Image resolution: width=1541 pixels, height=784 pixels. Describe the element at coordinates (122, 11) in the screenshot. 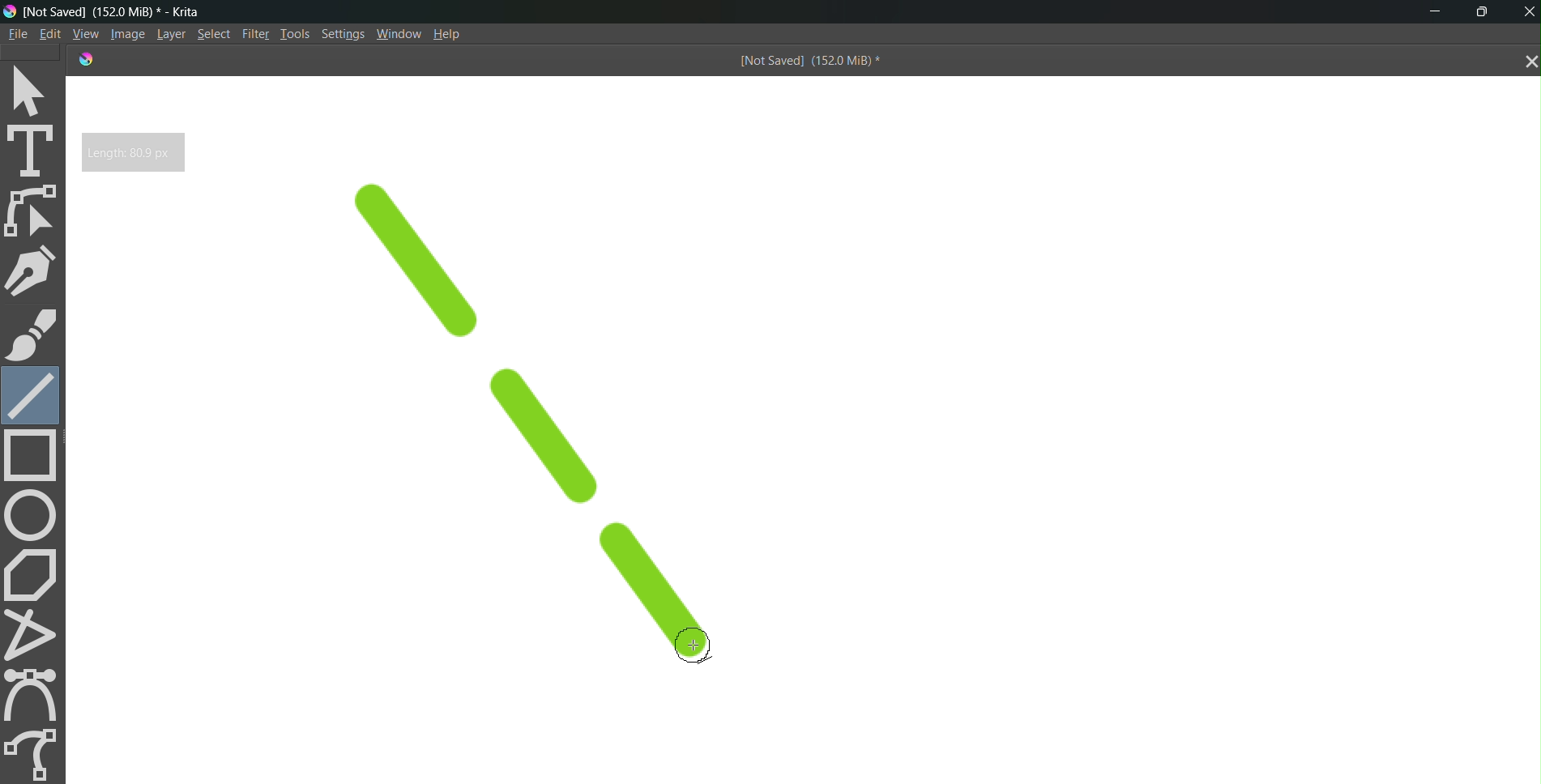

I see `[Not Saved] (151.9 MiB) * - Krita` at that location.